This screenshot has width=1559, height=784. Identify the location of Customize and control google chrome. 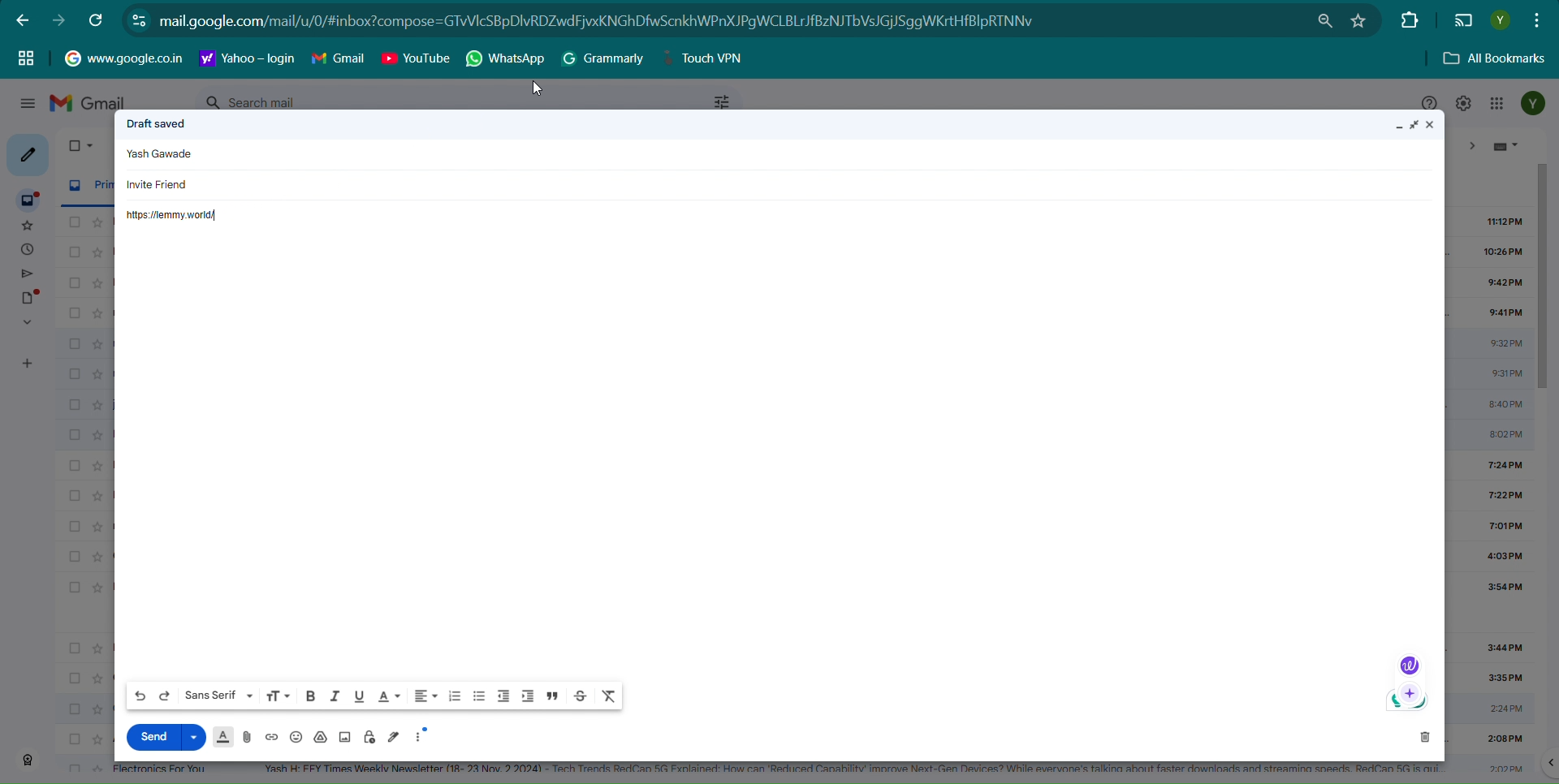
(1539, 19).